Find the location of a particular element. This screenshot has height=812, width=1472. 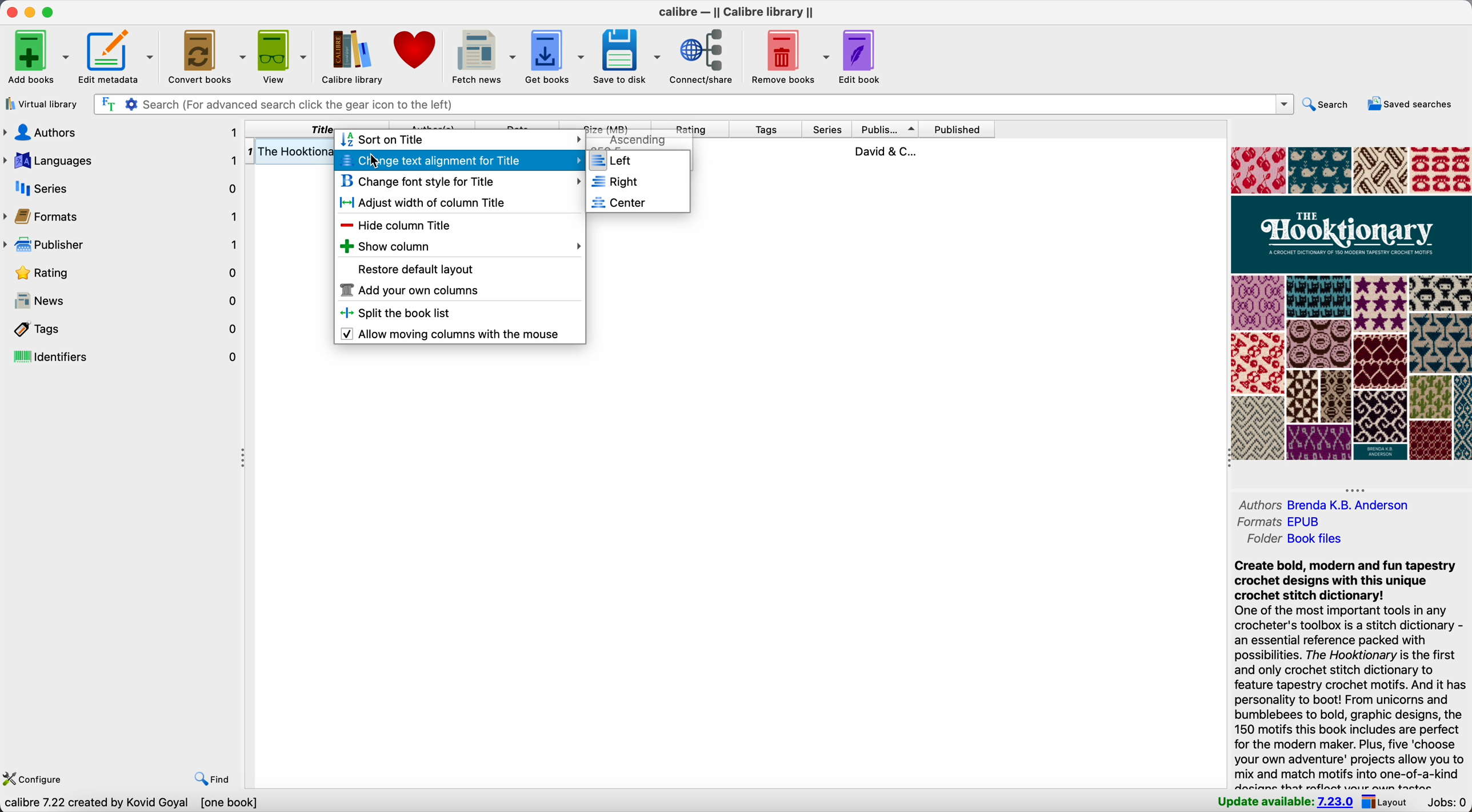

virtual library is located at coordinates (41, 105).